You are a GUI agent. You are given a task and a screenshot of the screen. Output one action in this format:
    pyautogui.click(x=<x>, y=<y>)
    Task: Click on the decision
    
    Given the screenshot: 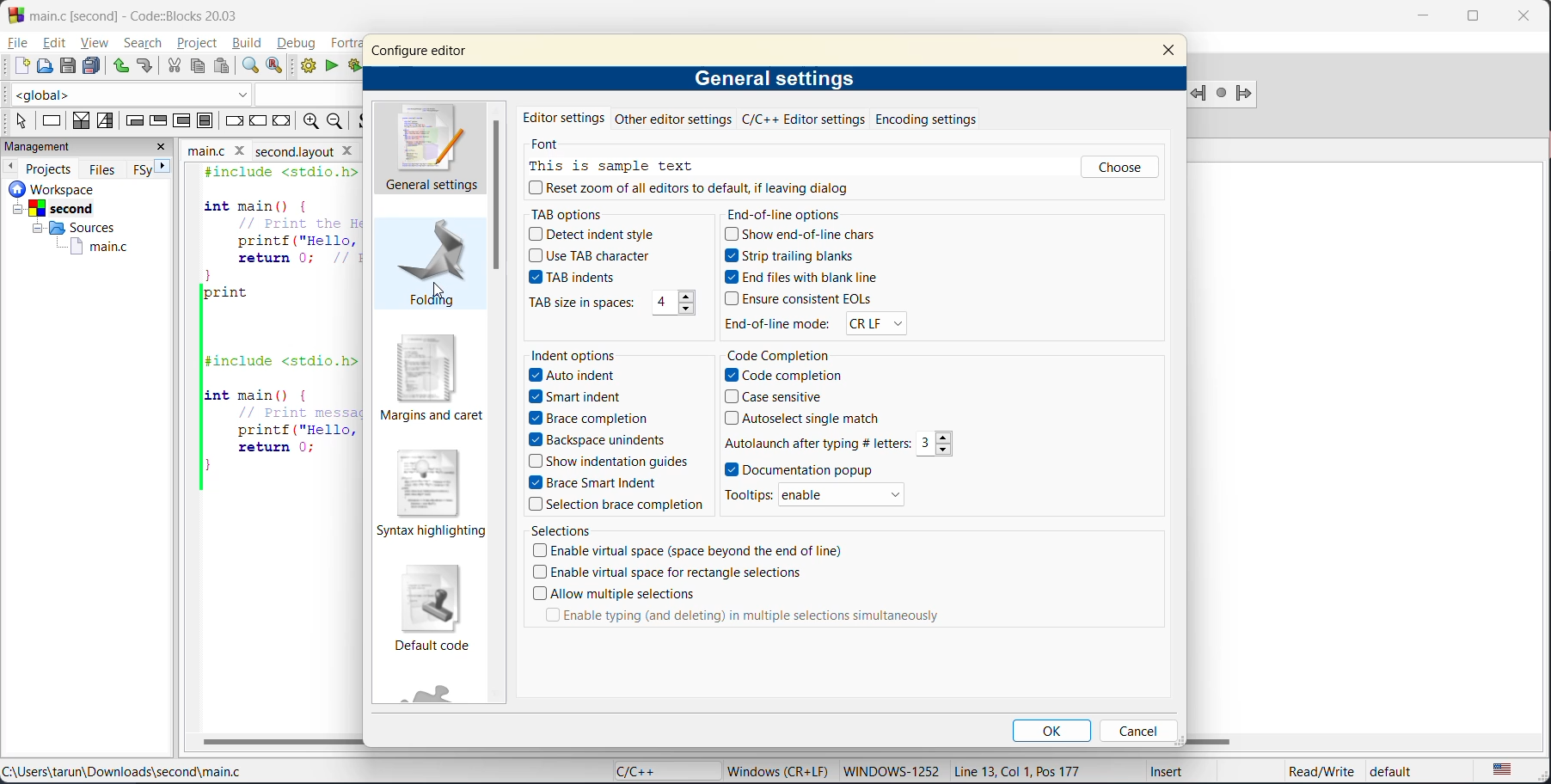 What is the action you would take?
    pyautogui.click(x=81, y=121)
    